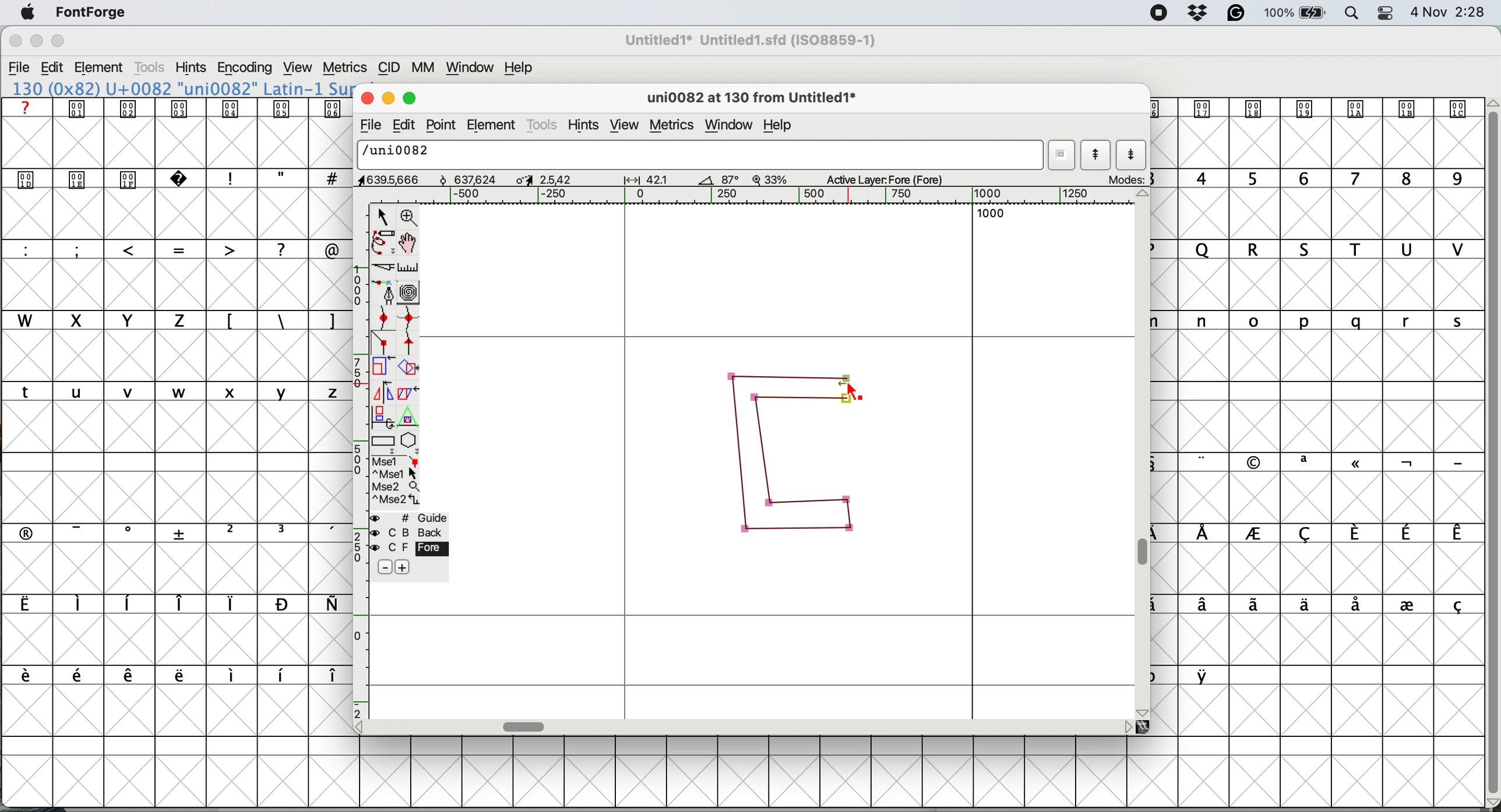 This screenshot has height=812, width=1501. I want to click on hints, so click(584, 126).